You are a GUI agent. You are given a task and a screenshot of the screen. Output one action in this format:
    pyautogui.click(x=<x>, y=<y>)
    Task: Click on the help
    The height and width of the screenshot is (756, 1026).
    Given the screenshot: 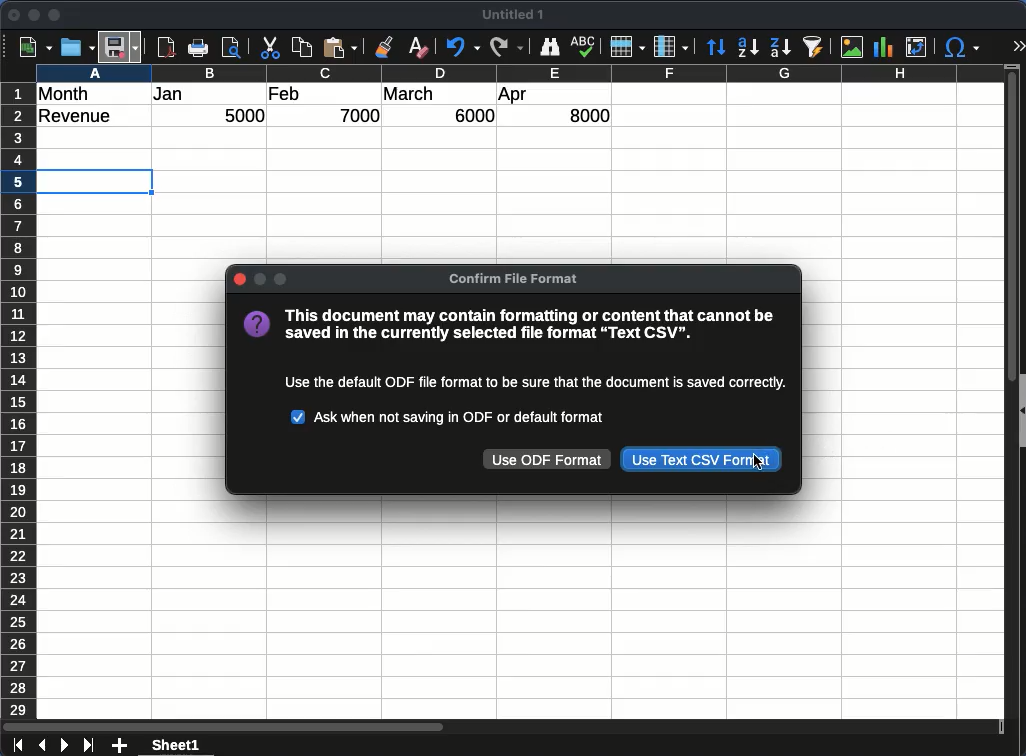 What is the action you would take?
    pyautogui.click(x=257, y=325)
    